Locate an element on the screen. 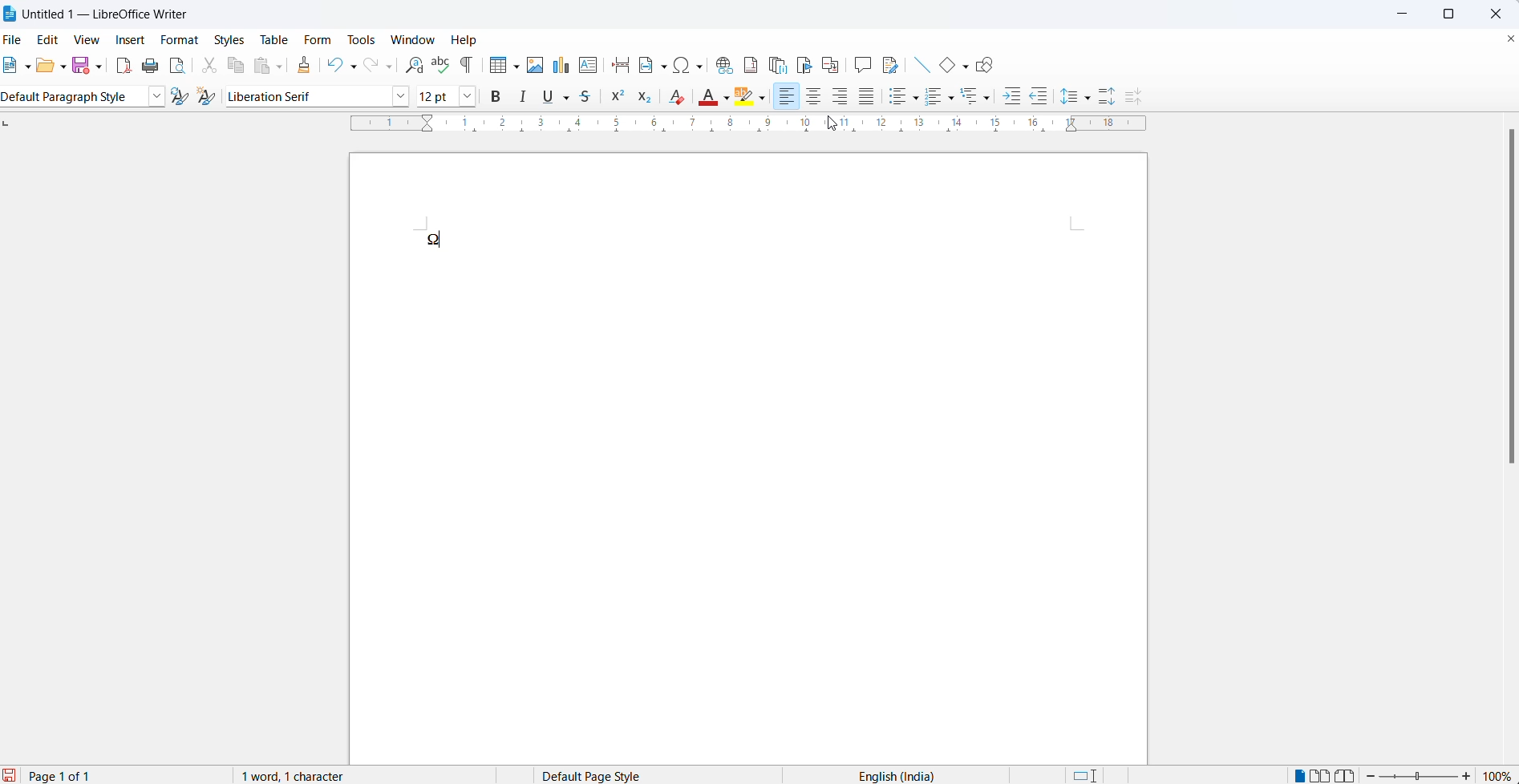  scaling is located at coordinates (735, 130).